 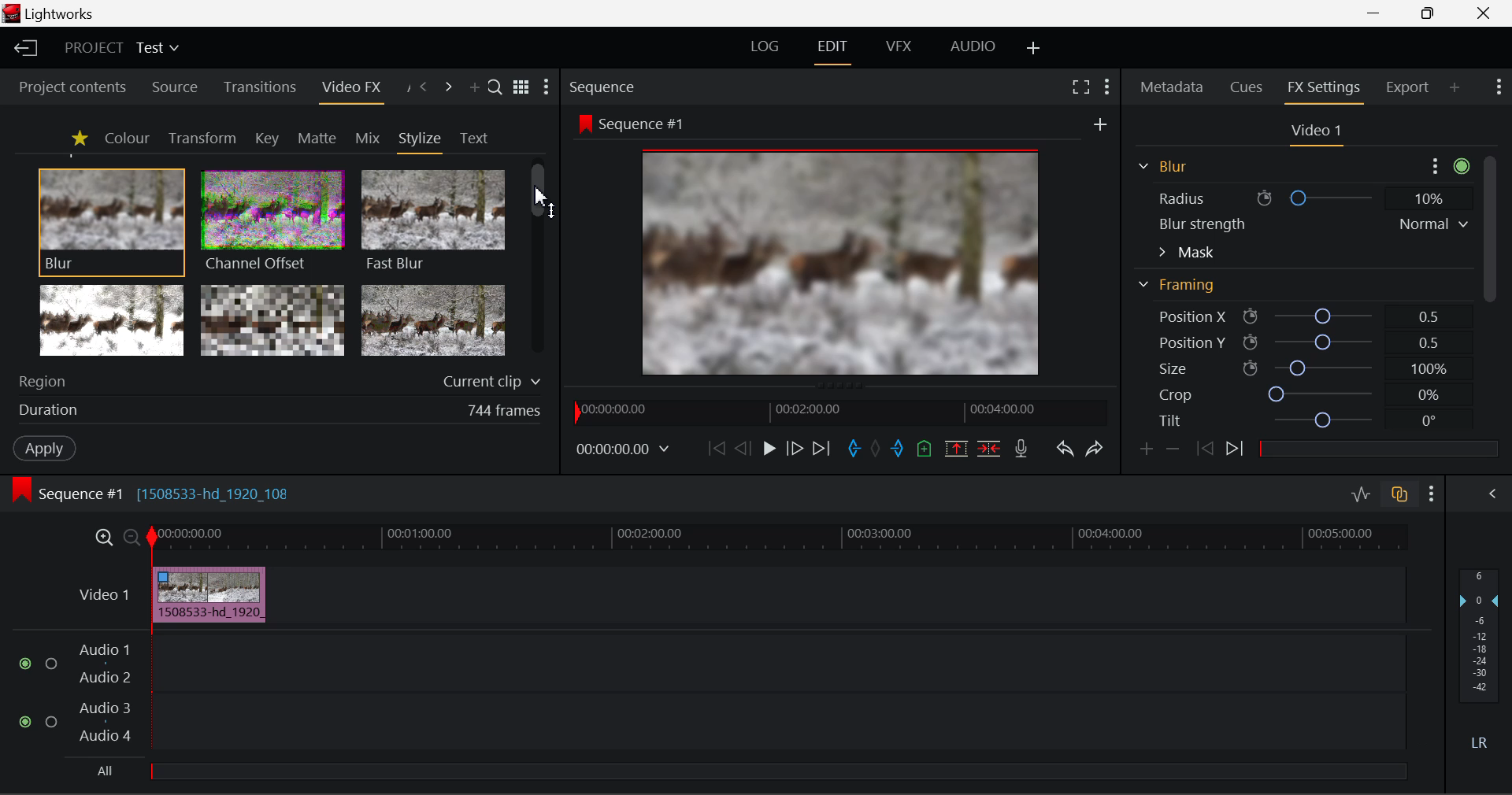 What do you see at coordinates (274, 321) in the screenshot?
I see `Mosaic` at bounding box center [274, 321].